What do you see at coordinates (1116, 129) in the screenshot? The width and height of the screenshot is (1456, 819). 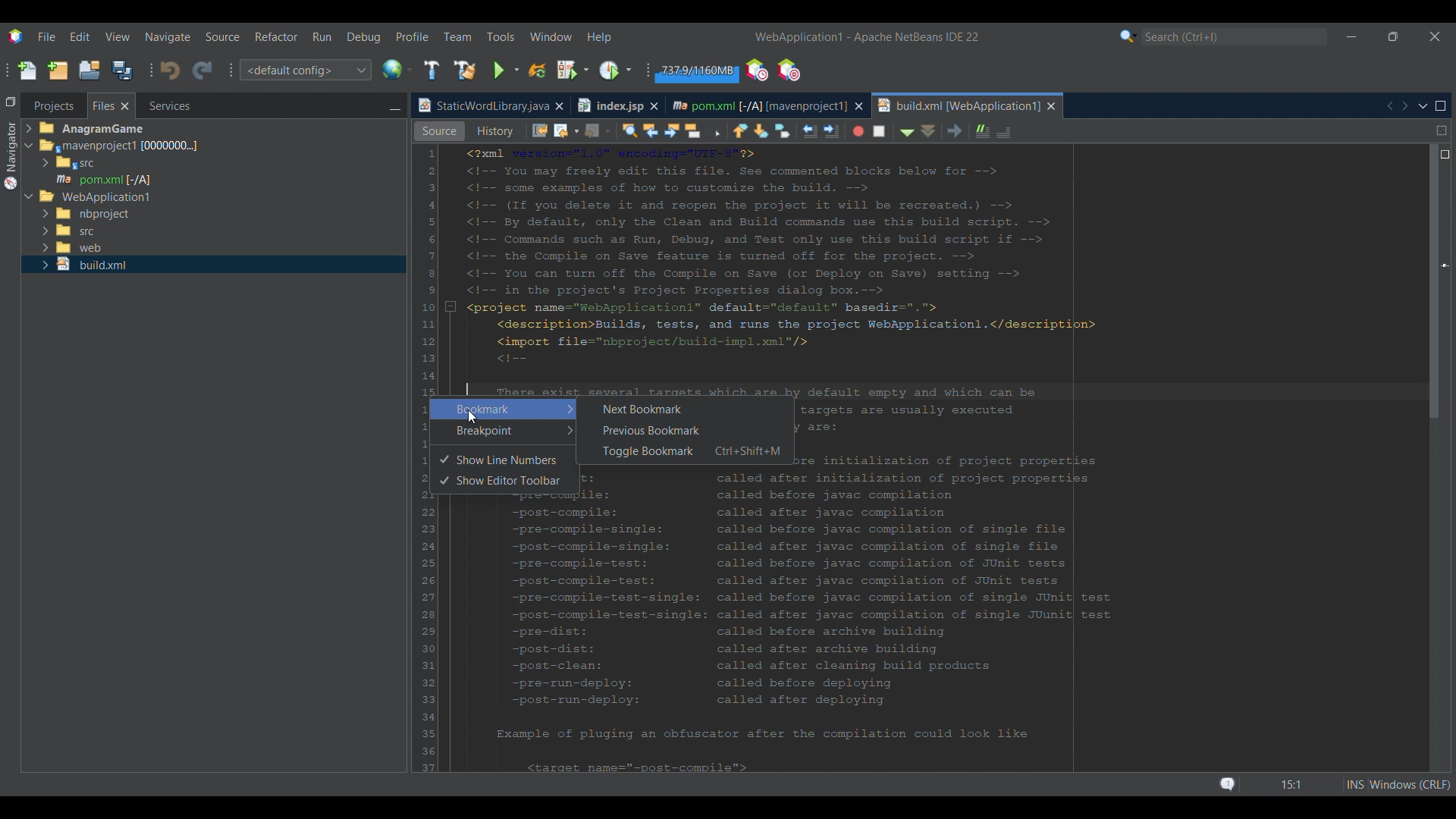 I see `Comment` at bounding box center [1116, 129].